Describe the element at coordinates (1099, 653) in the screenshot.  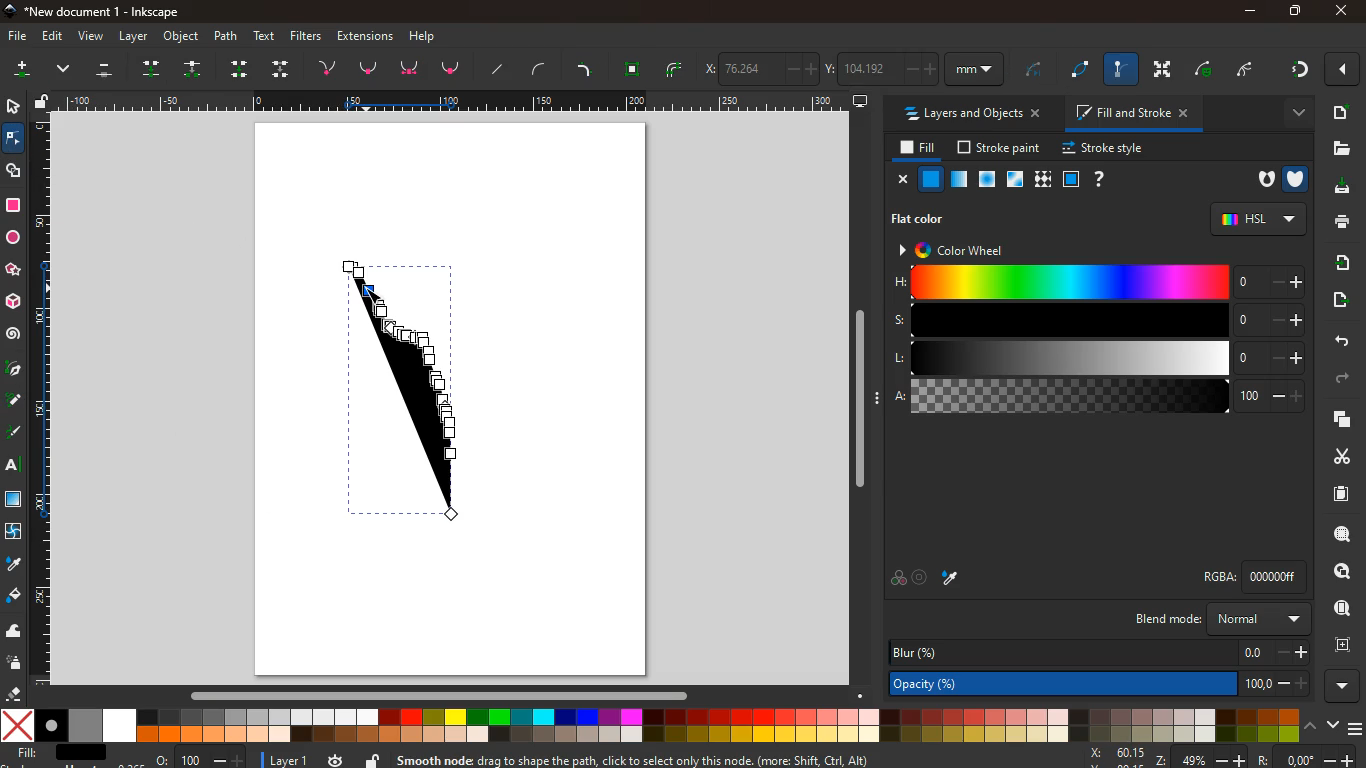
I see `blur` at that location.